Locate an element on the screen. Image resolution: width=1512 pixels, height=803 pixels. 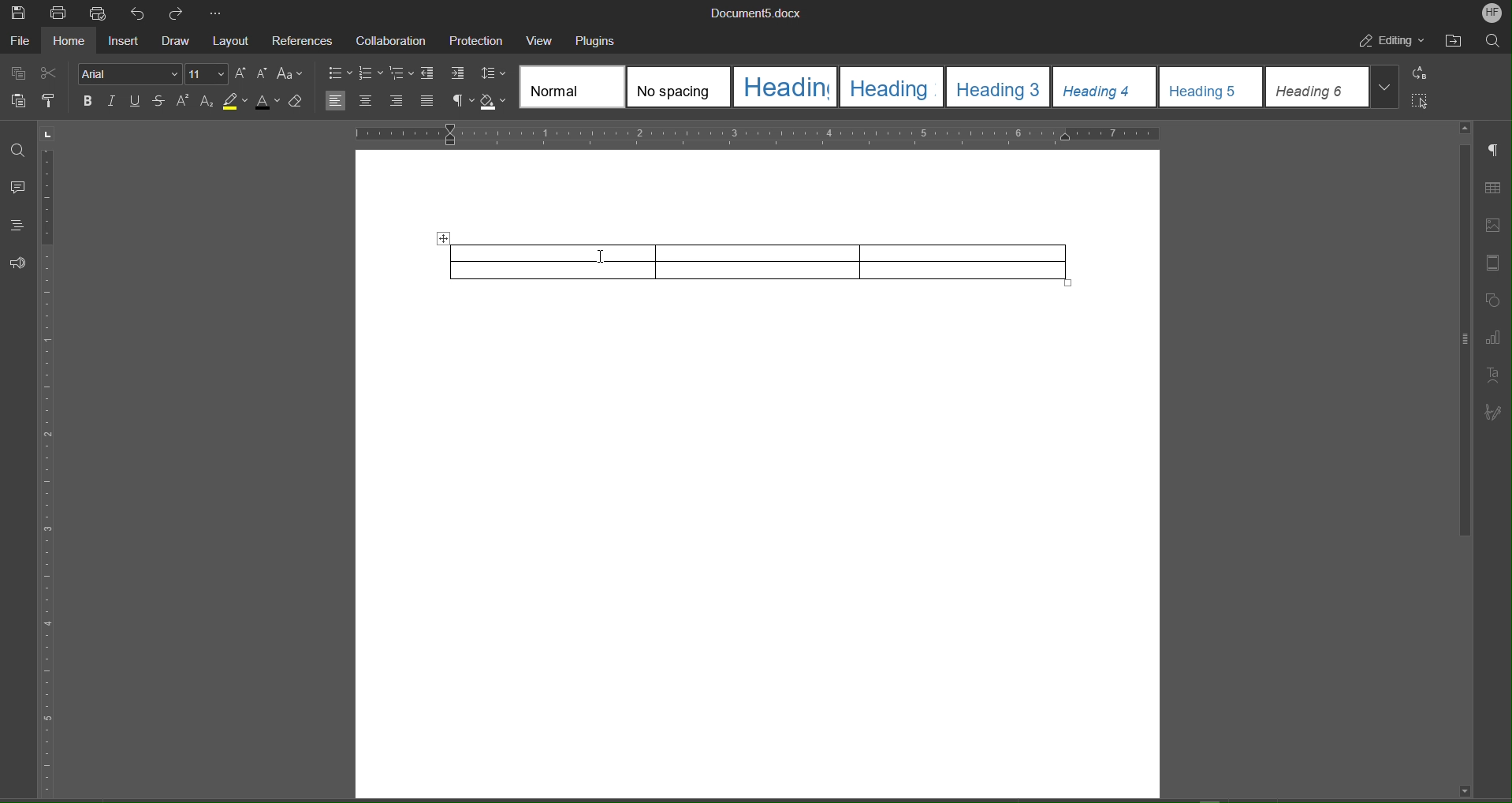
Bold is located at coordinates (88, 102).